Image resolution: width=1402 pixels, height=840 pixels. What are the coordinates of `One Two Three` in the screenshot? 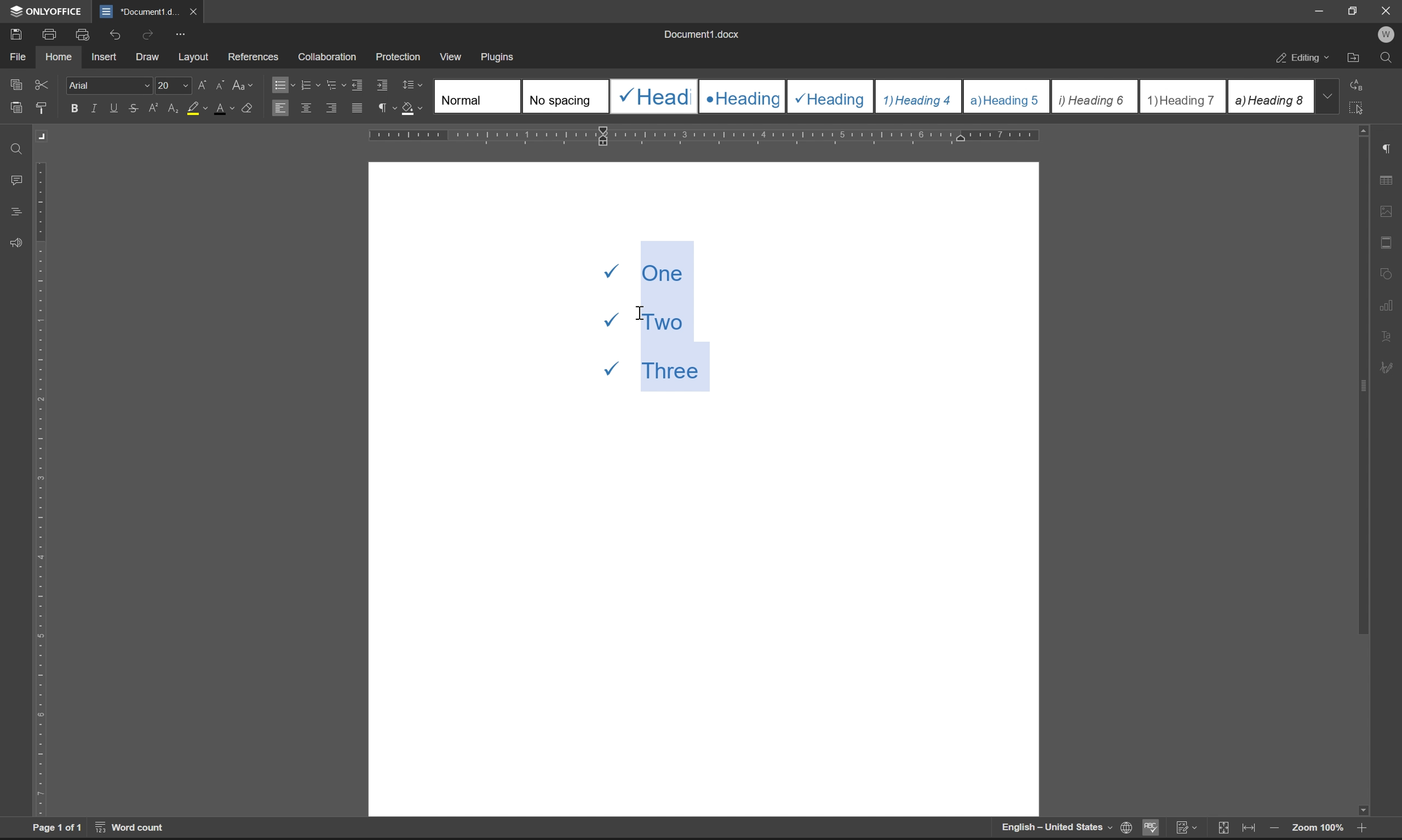 It's located at (650, 315).